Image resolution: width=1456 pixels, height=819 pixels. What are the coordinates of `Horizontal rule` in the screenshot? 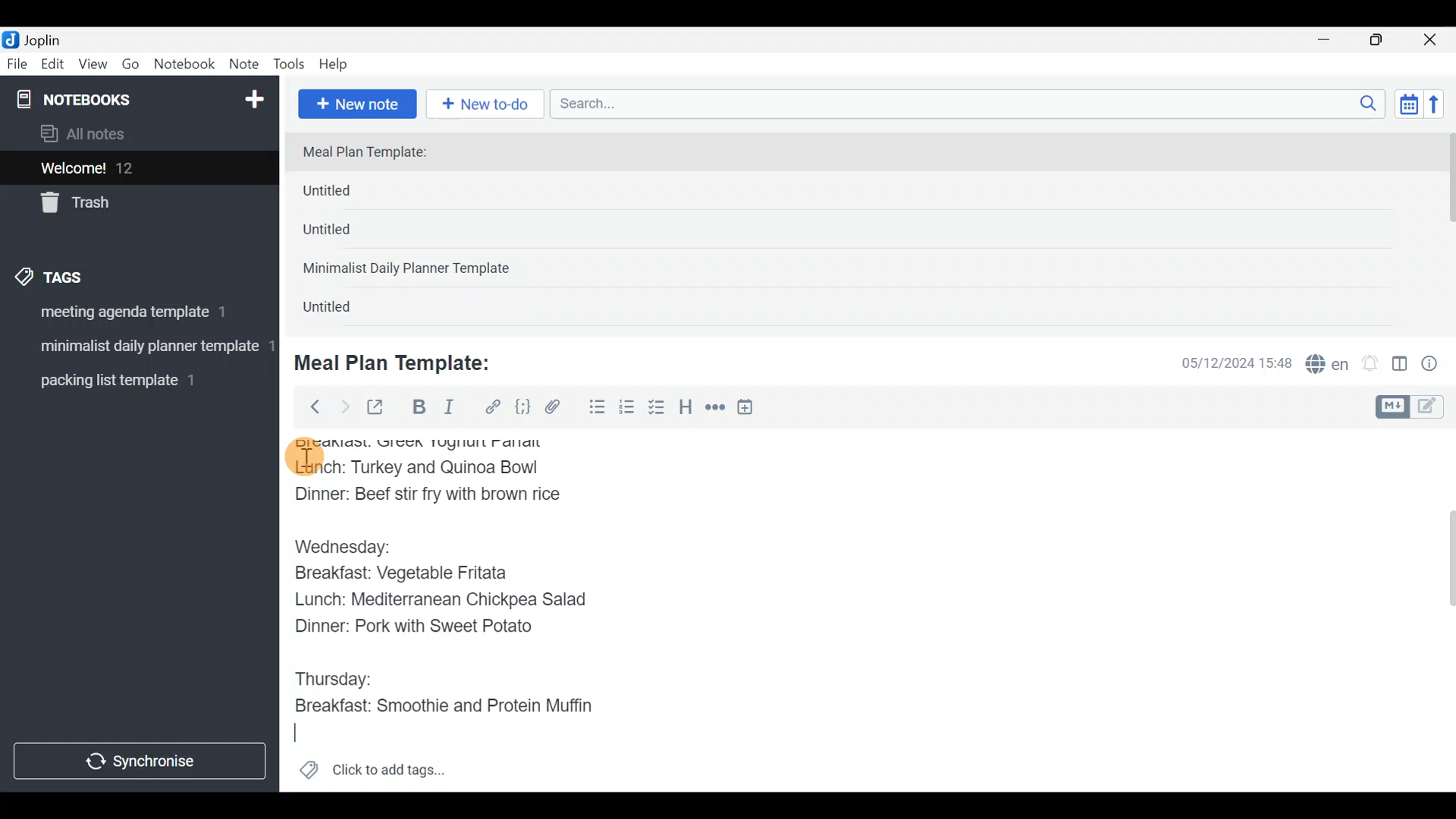 It's located at (715, 409).